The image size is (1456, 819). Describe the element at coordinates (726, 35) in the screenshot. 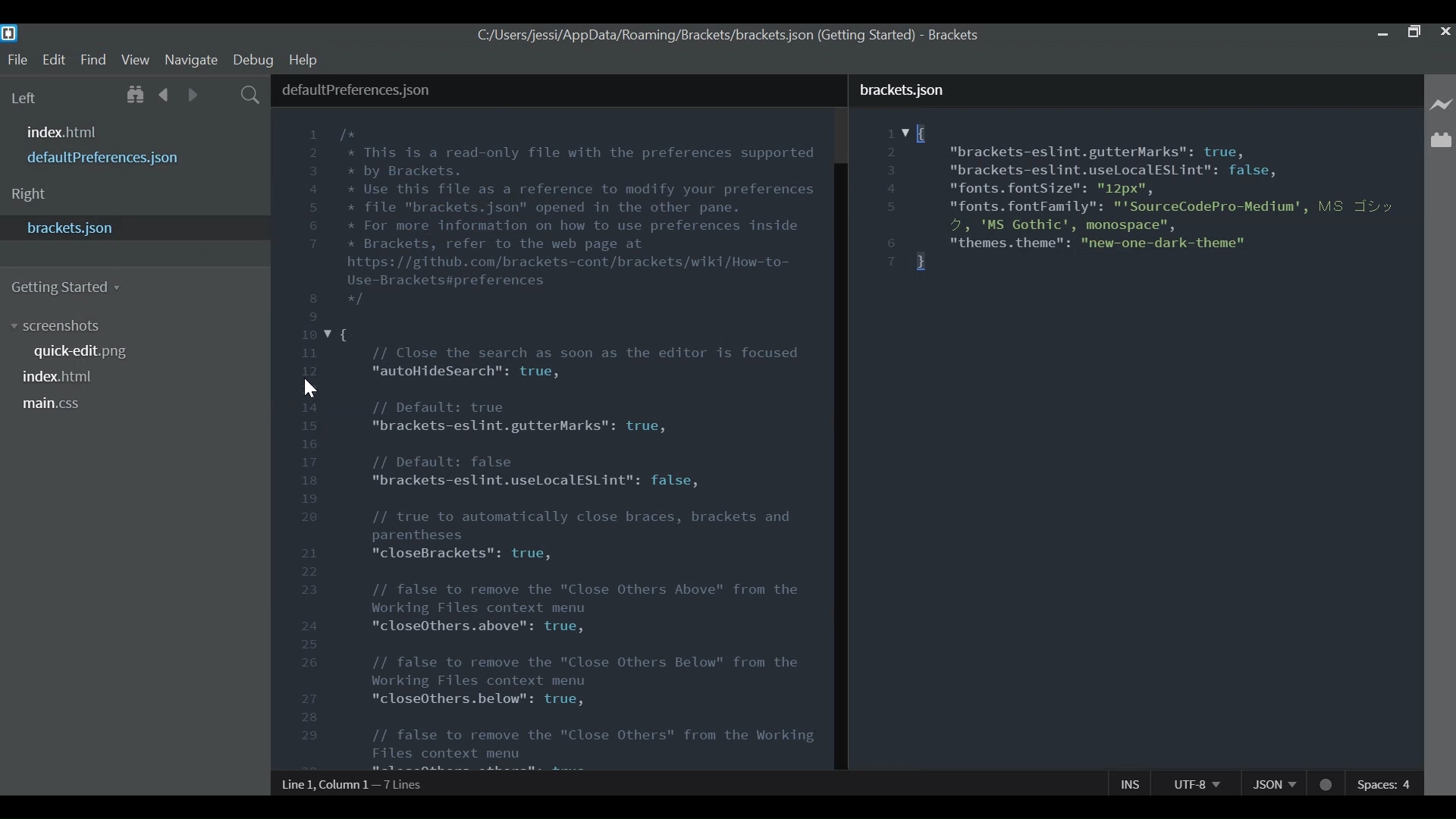

I see `C:/Users/jessi/AppData/Roaming/Brackets/brackets.json (Getting Started) - Brackets` at that location.